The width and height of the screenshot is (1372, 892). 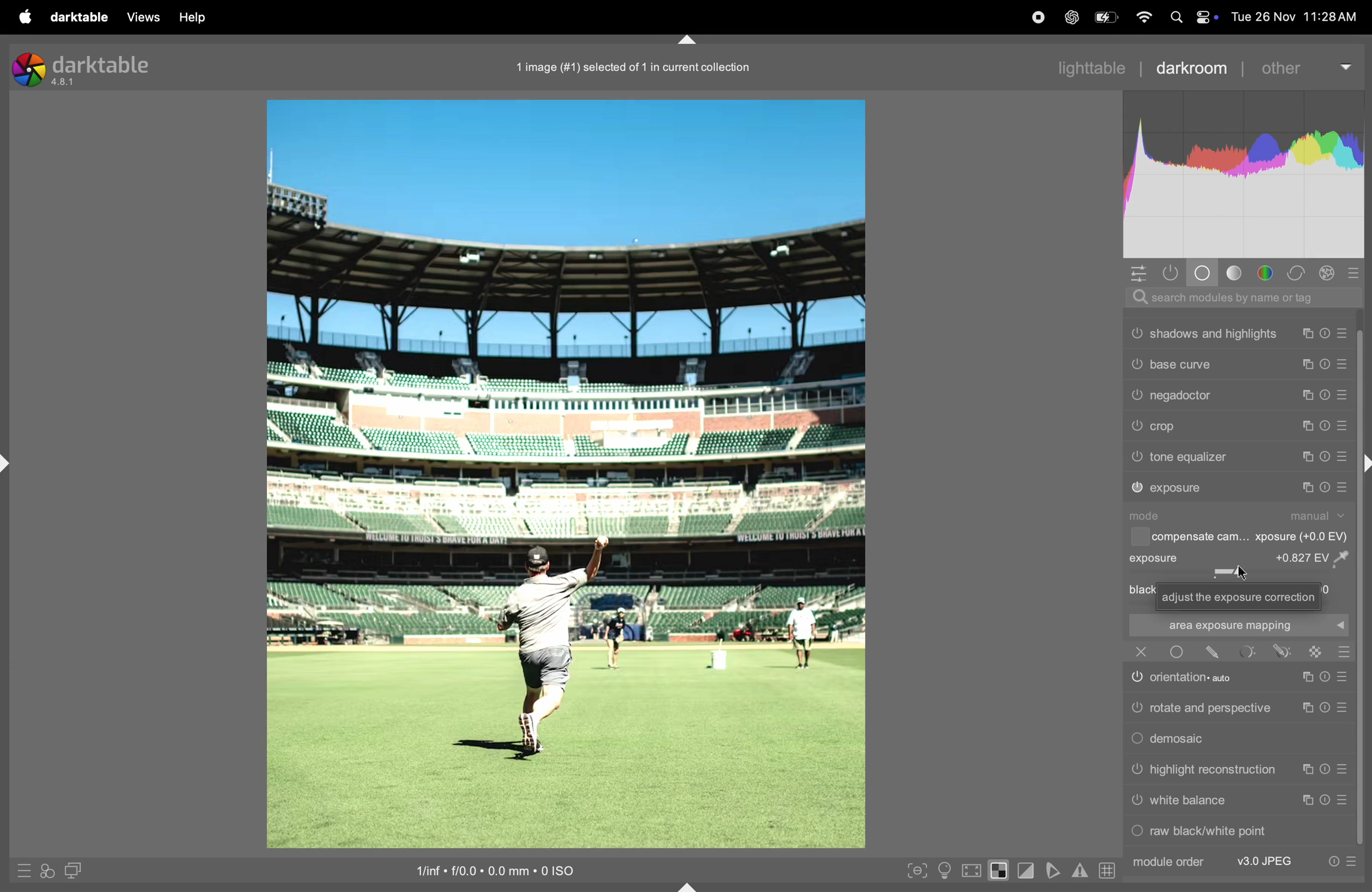 What do you see at coordinates (1344, 395) in the screenshot?
I see `Presets ` at bounding box center [1344, 395].